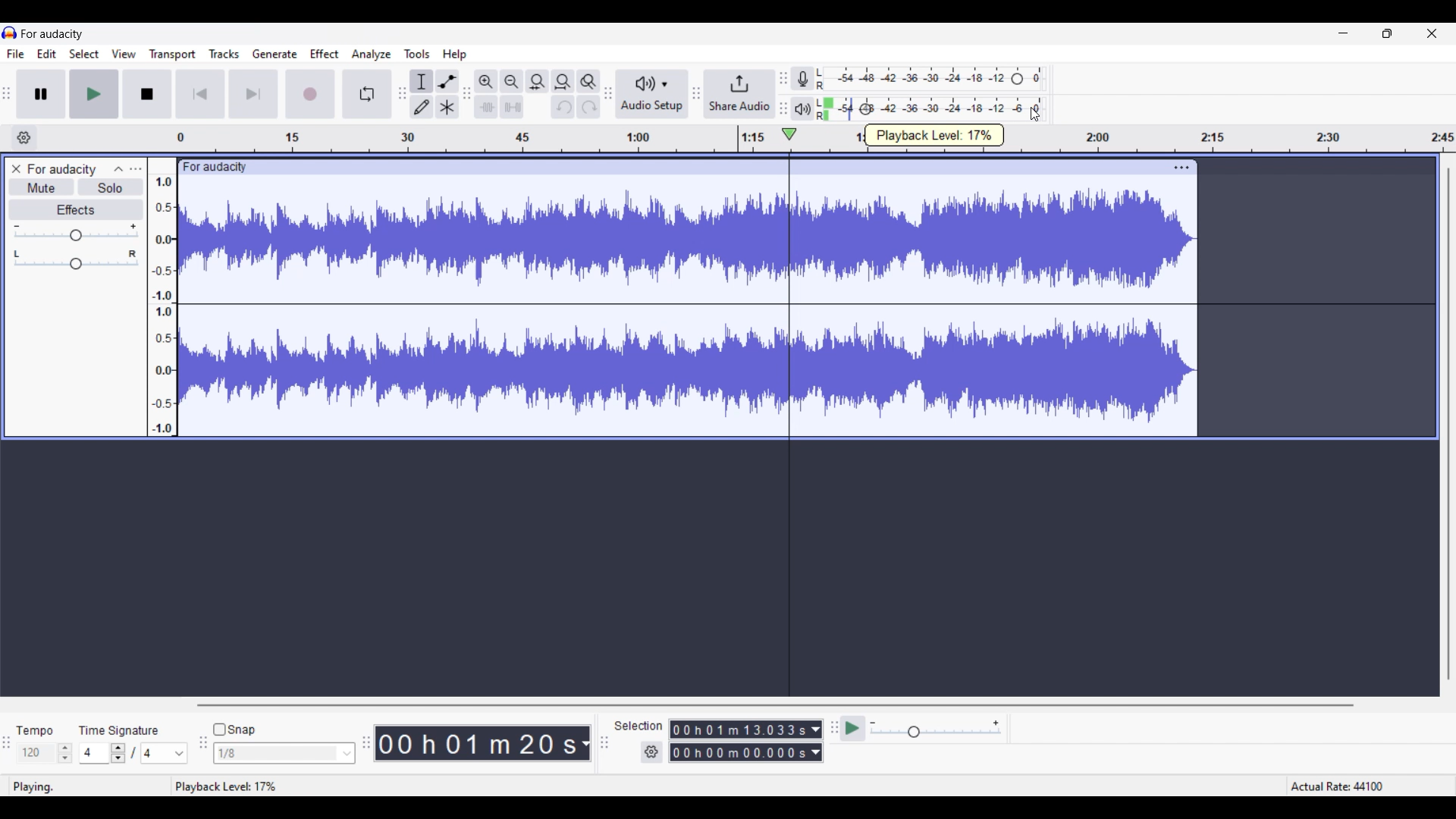 This screenshot has width=1456, height=819. What do you see at coordinates (588, 107) in the screenshot?
I see `Redo` at bounding box center [588, 107].